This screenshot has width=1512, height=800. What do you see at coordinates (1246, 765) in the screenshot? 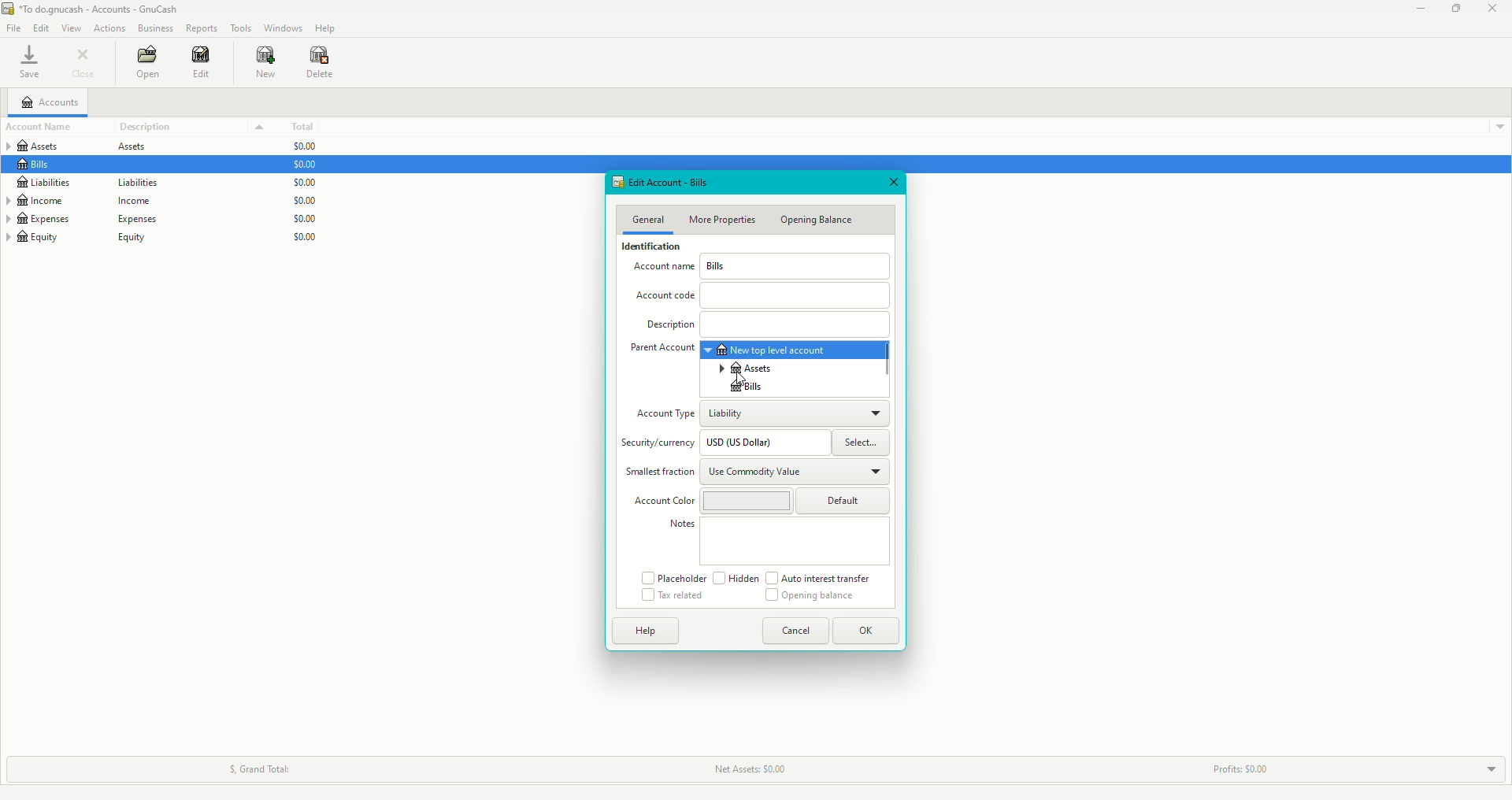
I see `Profits` at bounding box center [1246, 765].